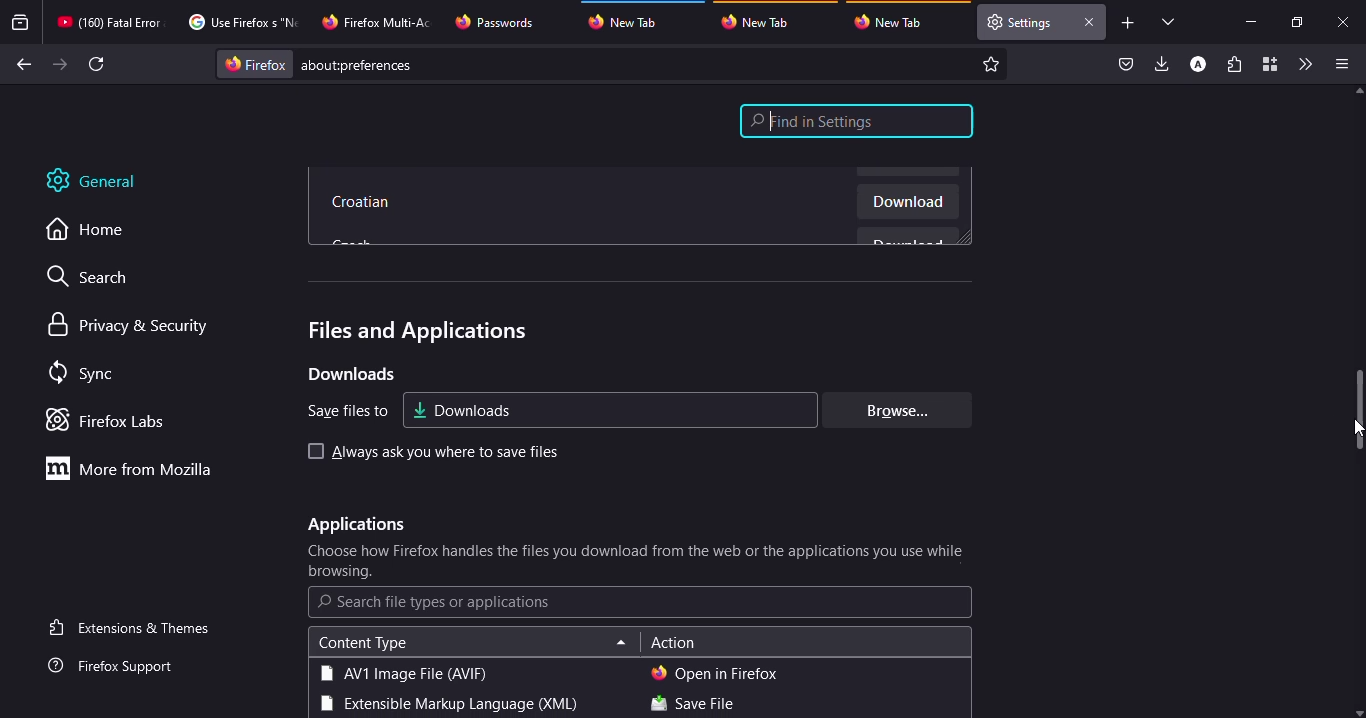 The width and height of the screenshot is (1366, 718). Describe the element at coordinates (117, 667) in the screenshot. I see `support` at that location.